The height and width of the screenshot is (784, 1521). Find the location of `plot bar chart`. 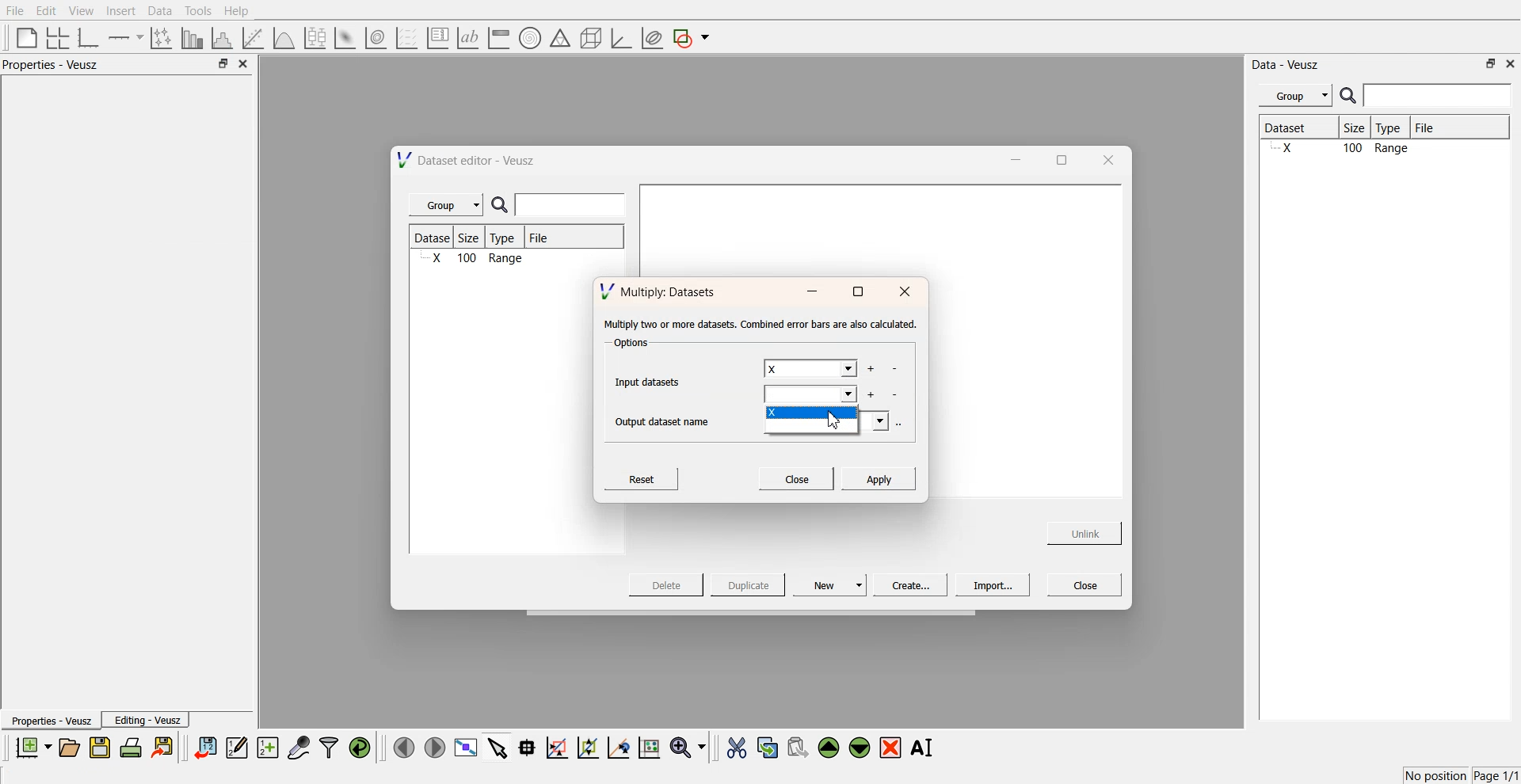

plot bar chart is located at coordinates (192, 39).